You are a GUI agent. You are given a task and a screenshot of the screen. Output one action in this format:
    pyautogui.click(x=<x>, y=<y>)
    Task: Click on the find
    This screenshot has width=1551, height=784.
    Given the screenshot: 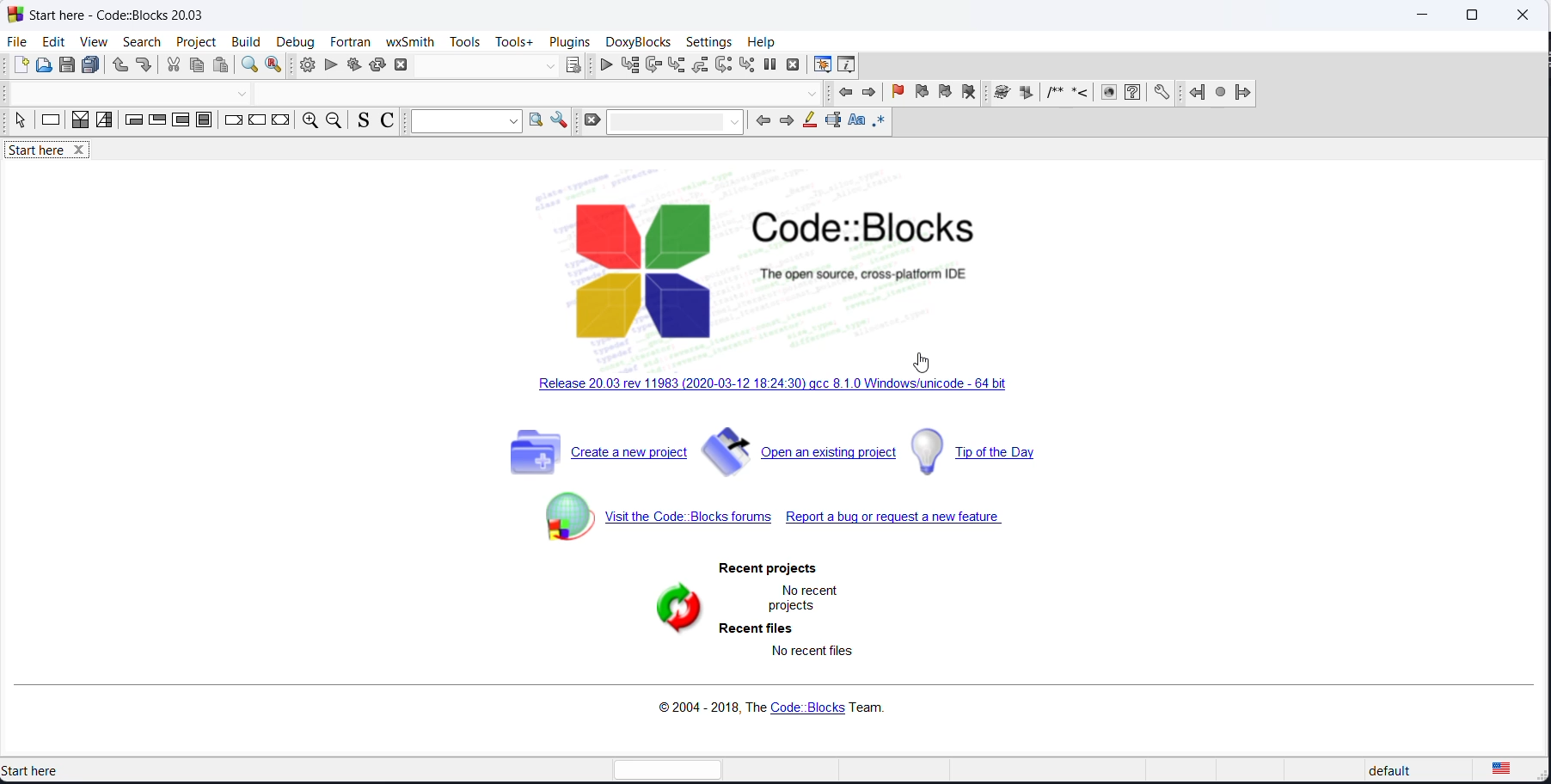 What is the action you would take?
    pyautogui.click(x=248, y=65)
    